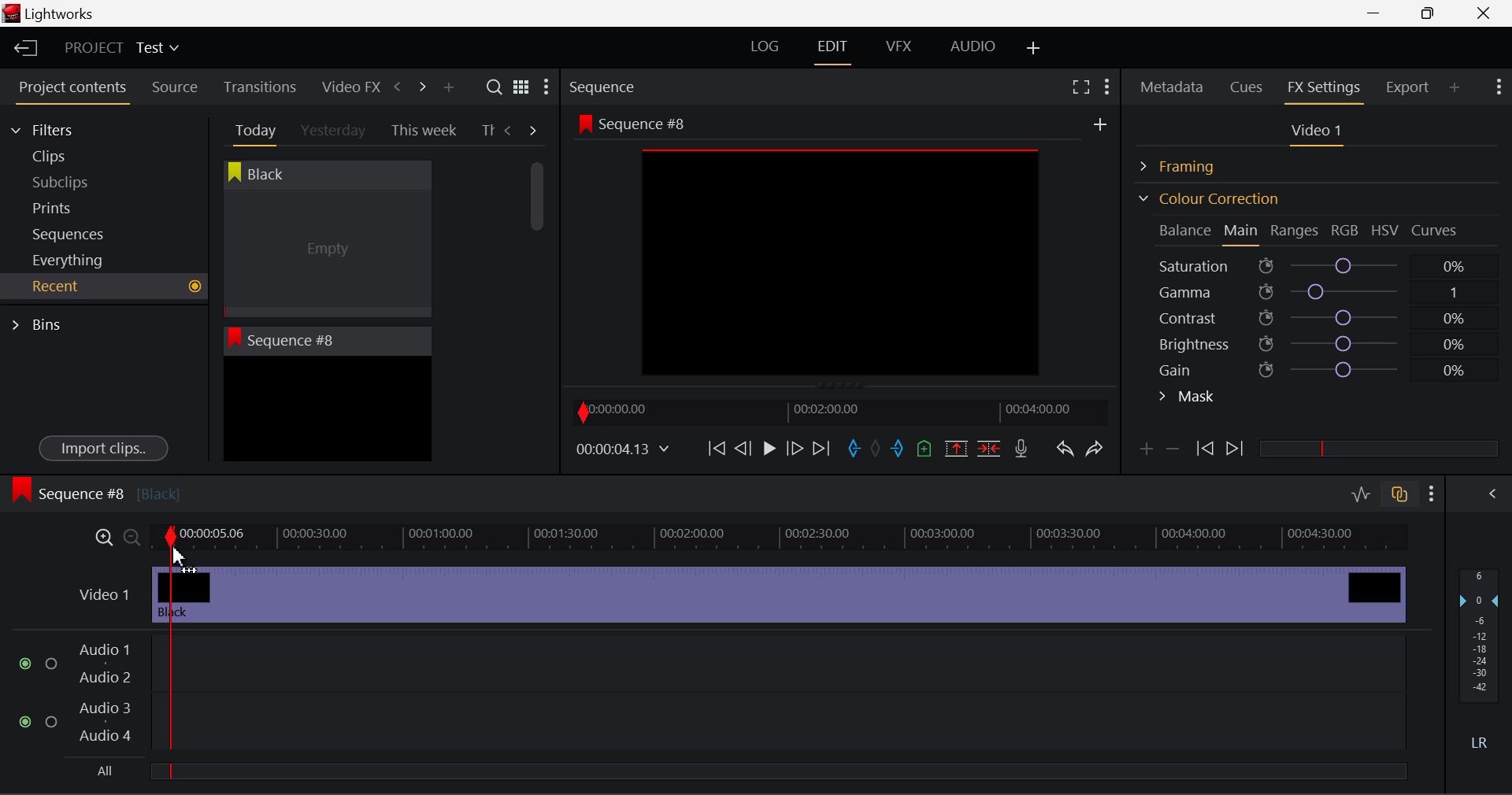 Image resolution: width=1512 pixels, height=795 pixels. Describe the element at coordinates (1106, 84) in the screenshot. I see `Show Settings` at that location.